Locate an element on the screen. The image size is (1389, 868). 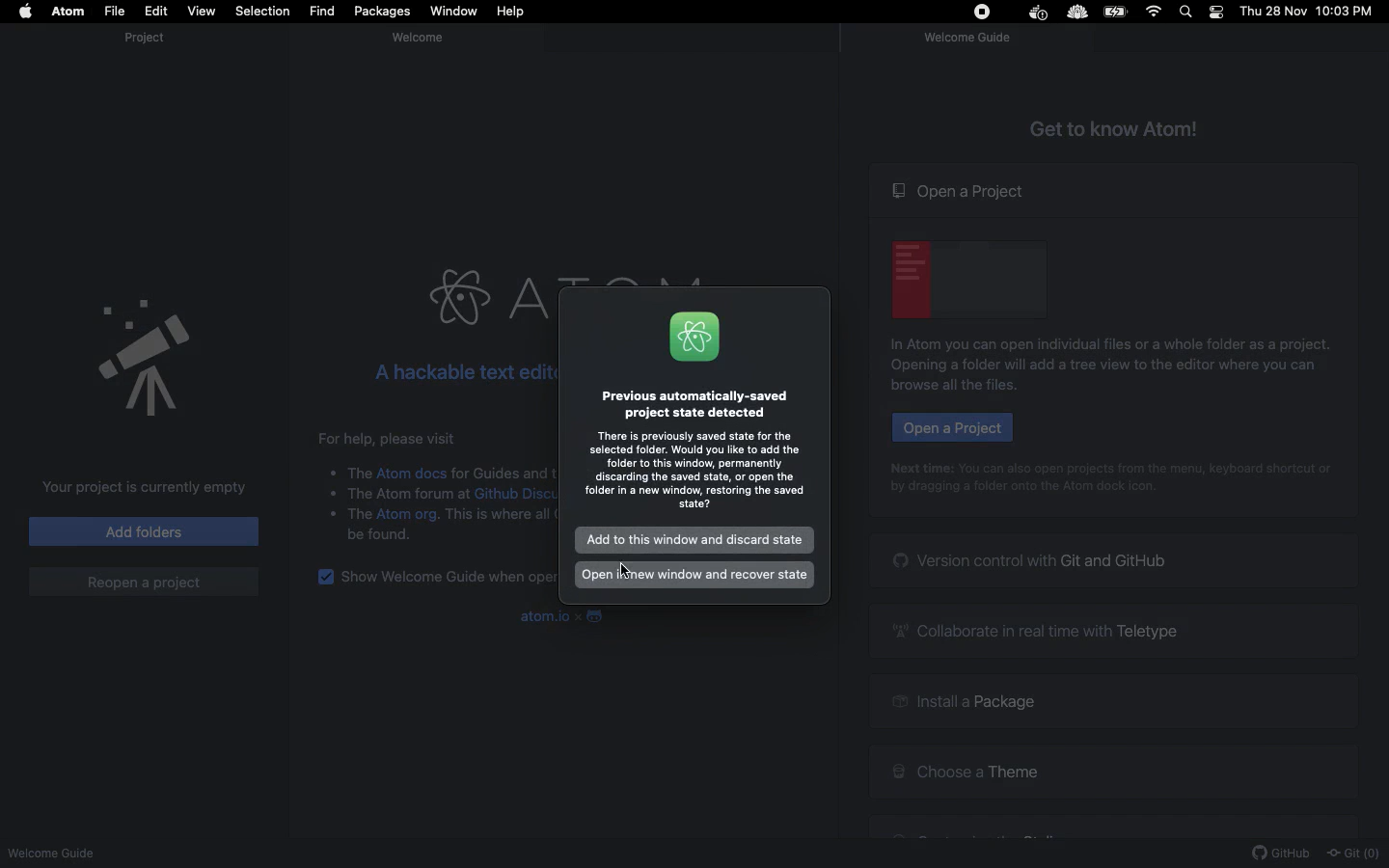
Selection is located at coordinates (262, 12).